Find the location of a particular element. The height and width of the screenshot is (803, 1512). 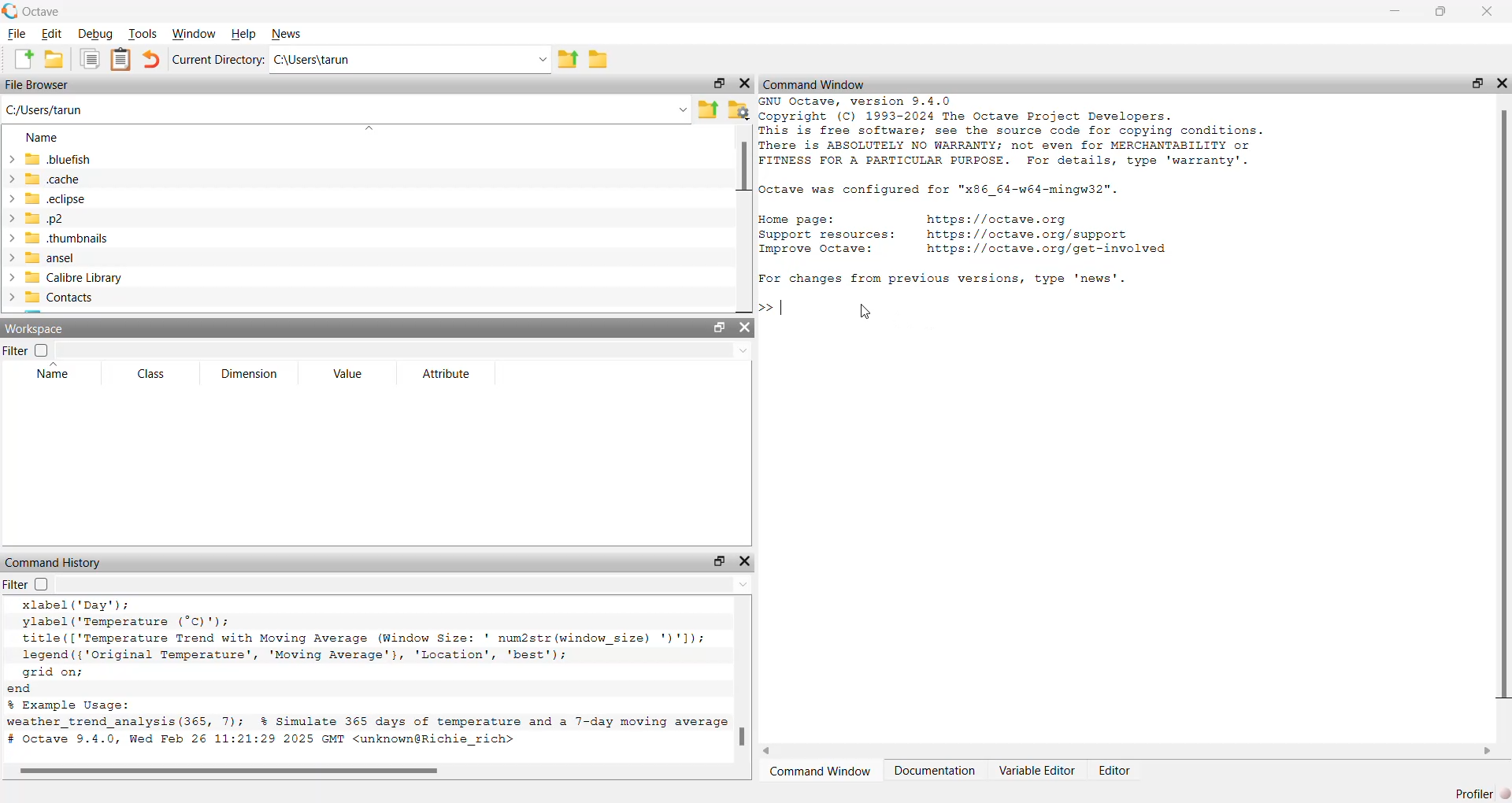

maximise is located at coordinates (717, 561).